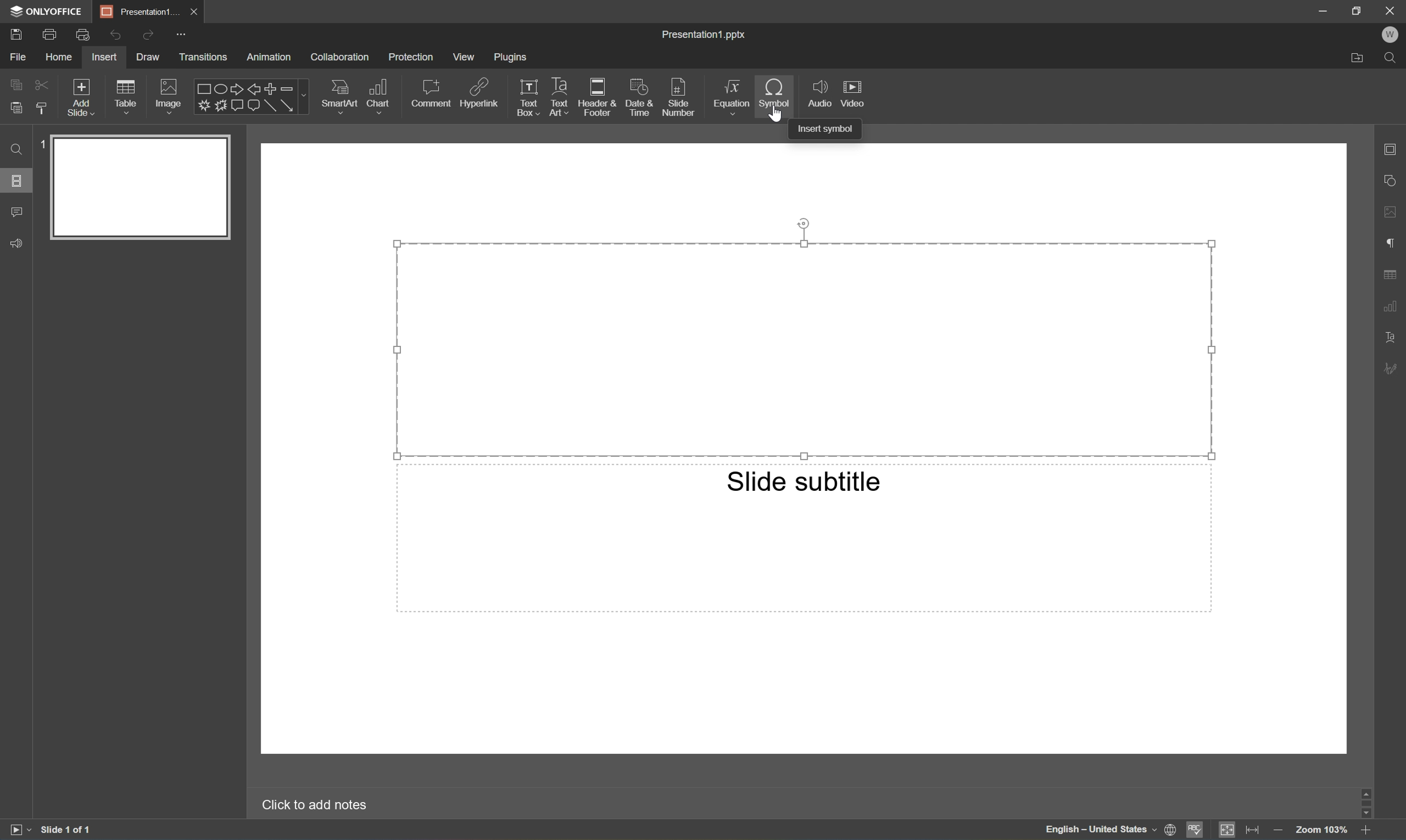 The height and width of the screenshot is (840, 1406). I want to click on Zoom in, so click(1365, 832).